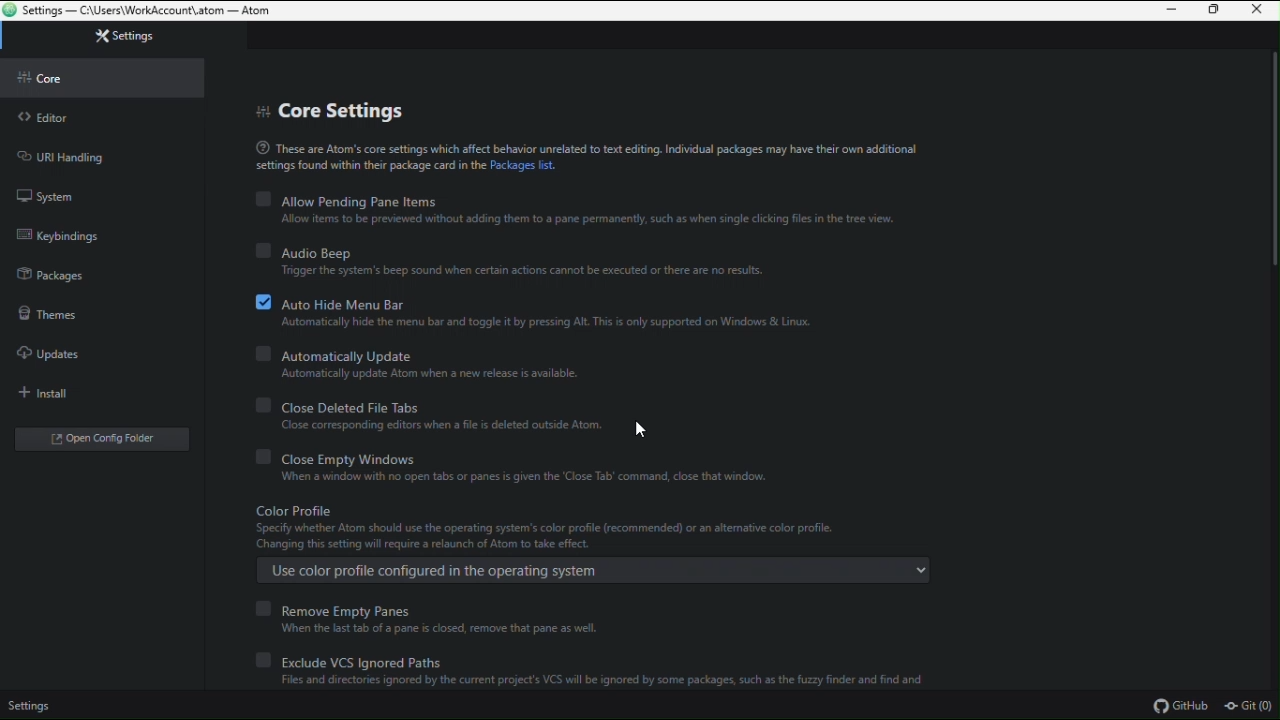  Describe the element at coordinates (36, 707) in the screenshot. I see `settings` at that location.